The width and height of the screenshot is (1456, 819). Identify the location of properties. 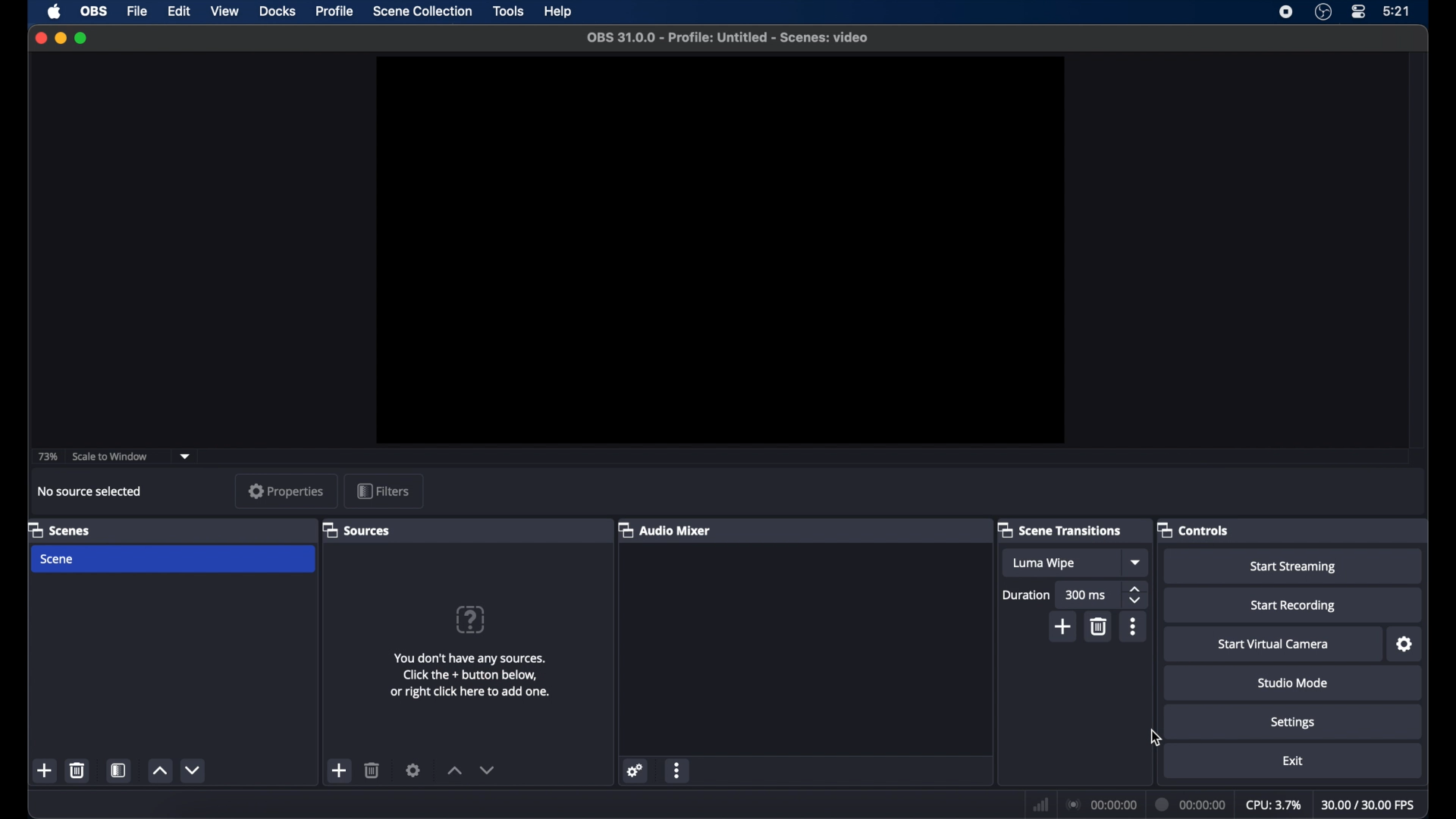
(287, 491).